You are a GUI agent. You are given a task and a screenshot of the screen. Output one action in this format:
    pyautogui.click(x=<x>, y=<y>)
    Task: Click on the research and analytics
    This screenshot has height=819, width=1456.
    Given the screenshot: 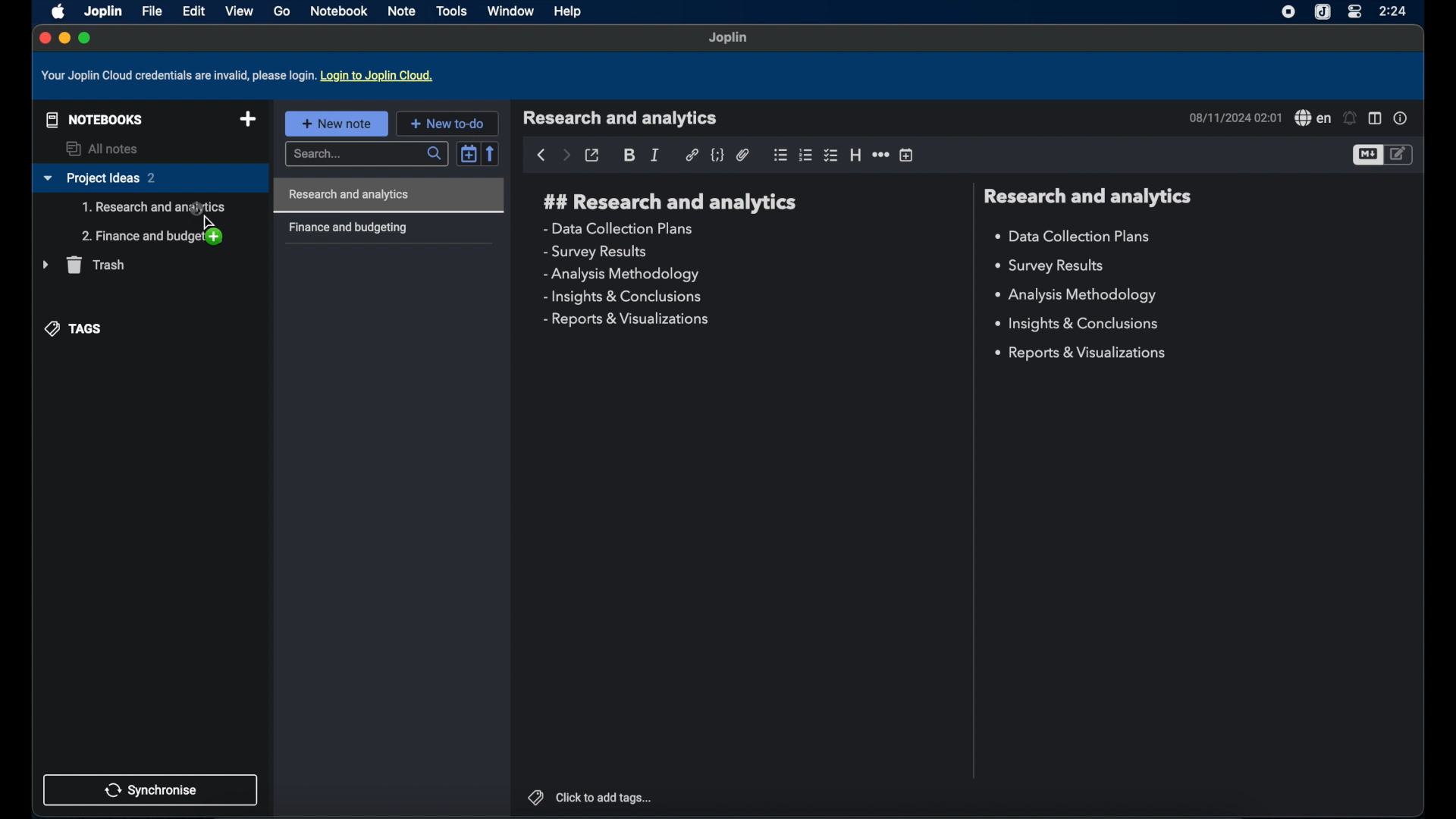 What is the action you would take?
    pyautogui.click(x=1087, y=196)
    